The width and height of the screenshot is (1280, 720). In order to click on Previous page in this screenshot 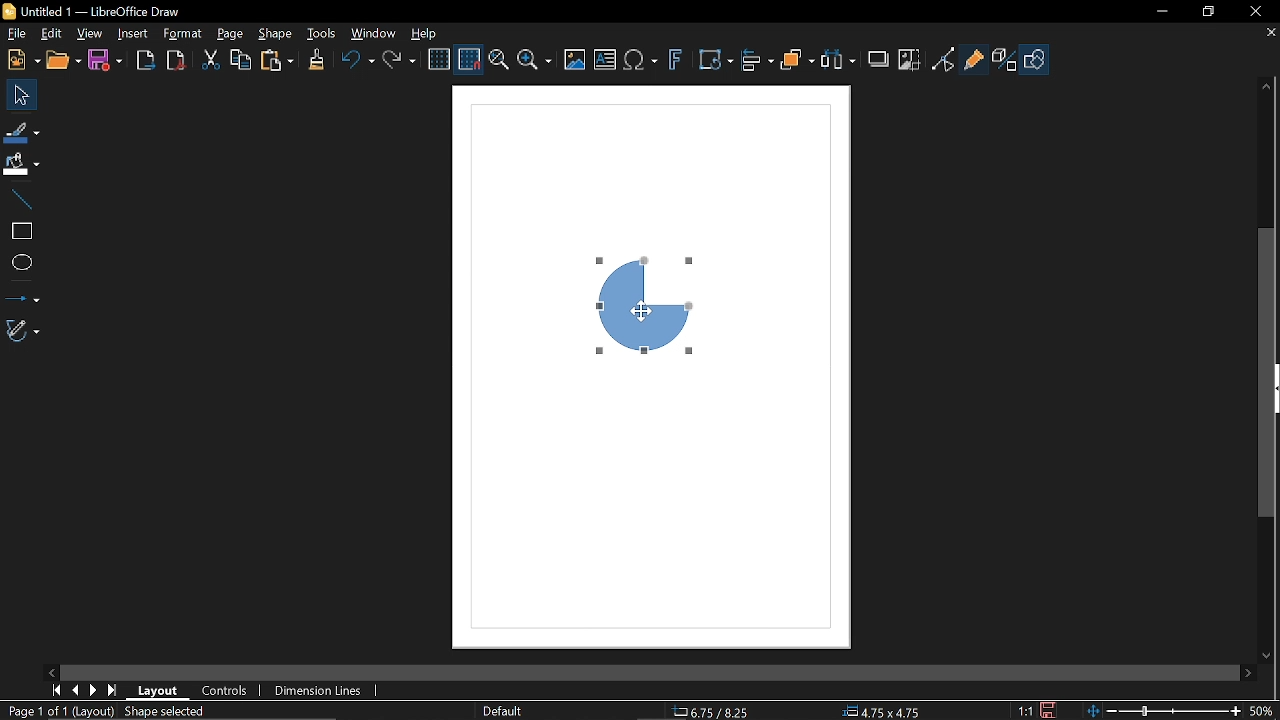, I will do `click(75, 690)`.